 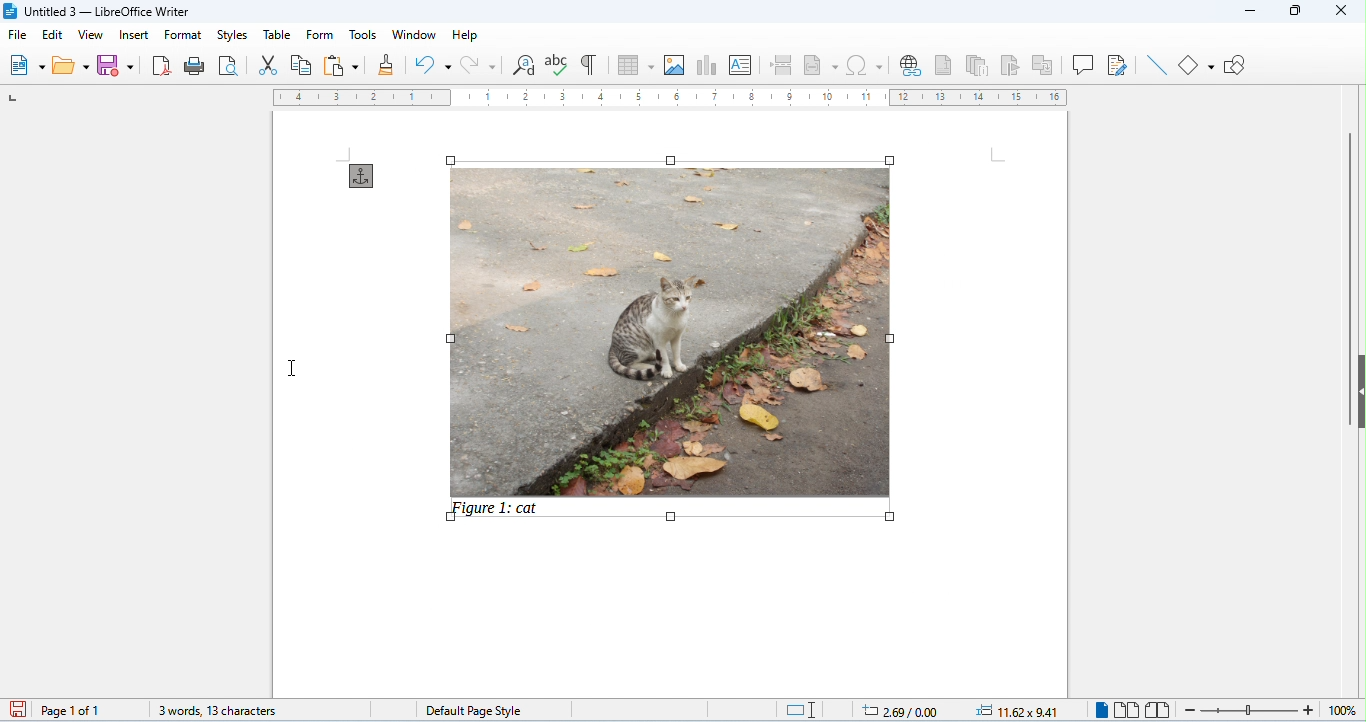 What do you see at coordinates (102, 11) in the screenshot?
I see `title` at bounding box center [102, 11].